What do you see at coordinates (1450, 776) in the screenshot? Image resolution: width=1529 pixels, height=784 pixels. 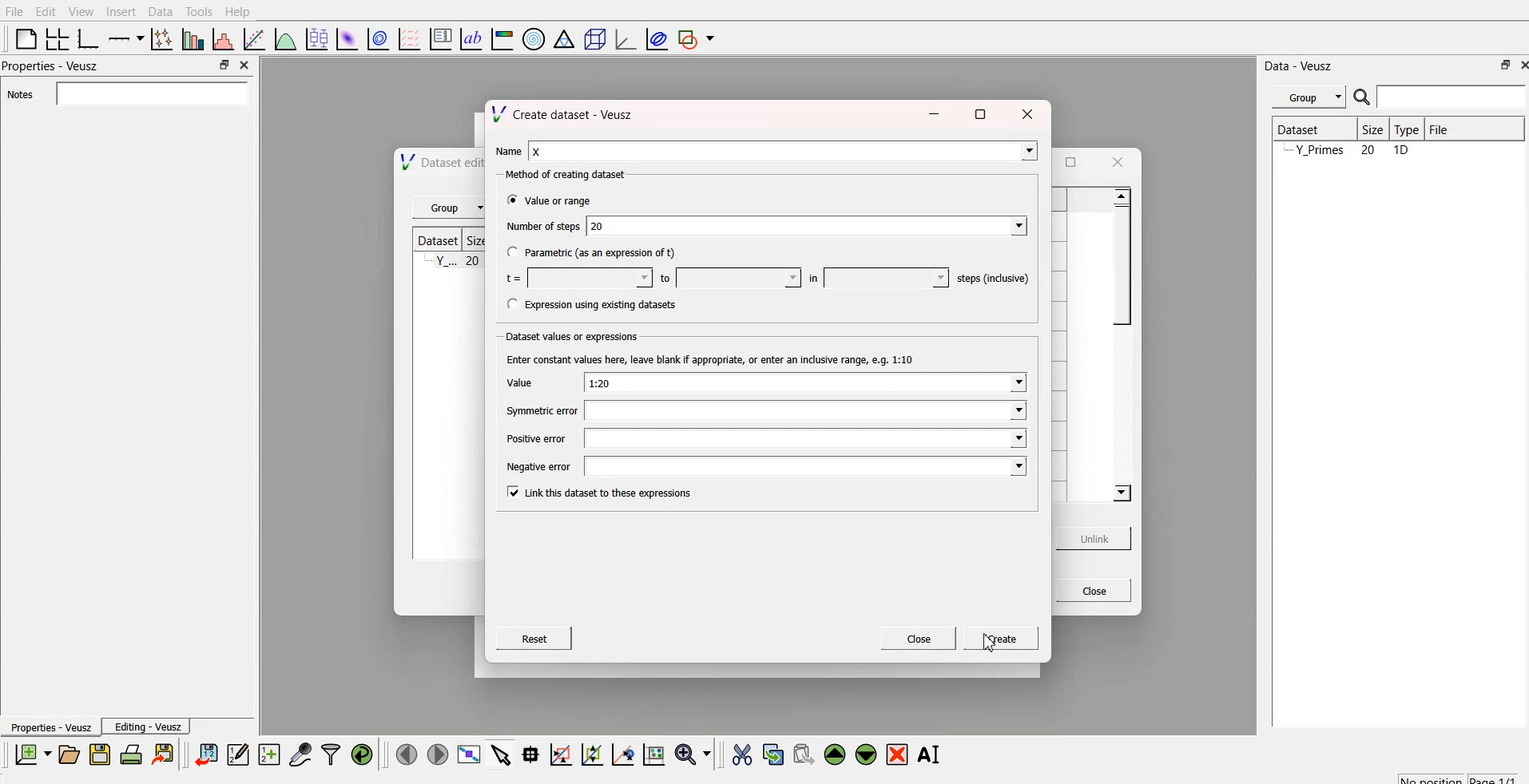 I see `no position page 1/1` at bounding box center [1450, 776].